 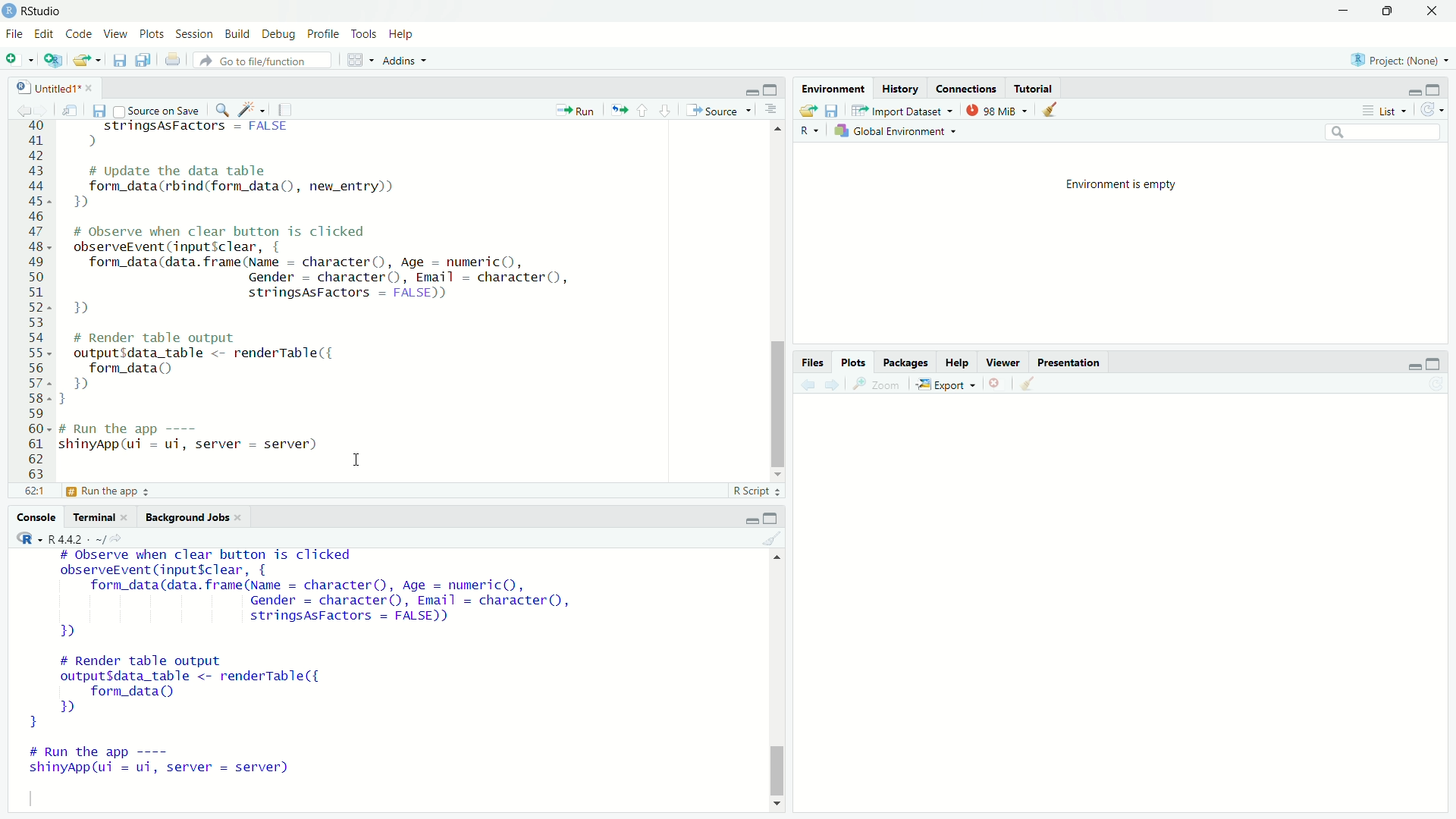 What do you see at coordinates (14, 33) in the screenshot?
I see `File` at bounding box center [14, 33].